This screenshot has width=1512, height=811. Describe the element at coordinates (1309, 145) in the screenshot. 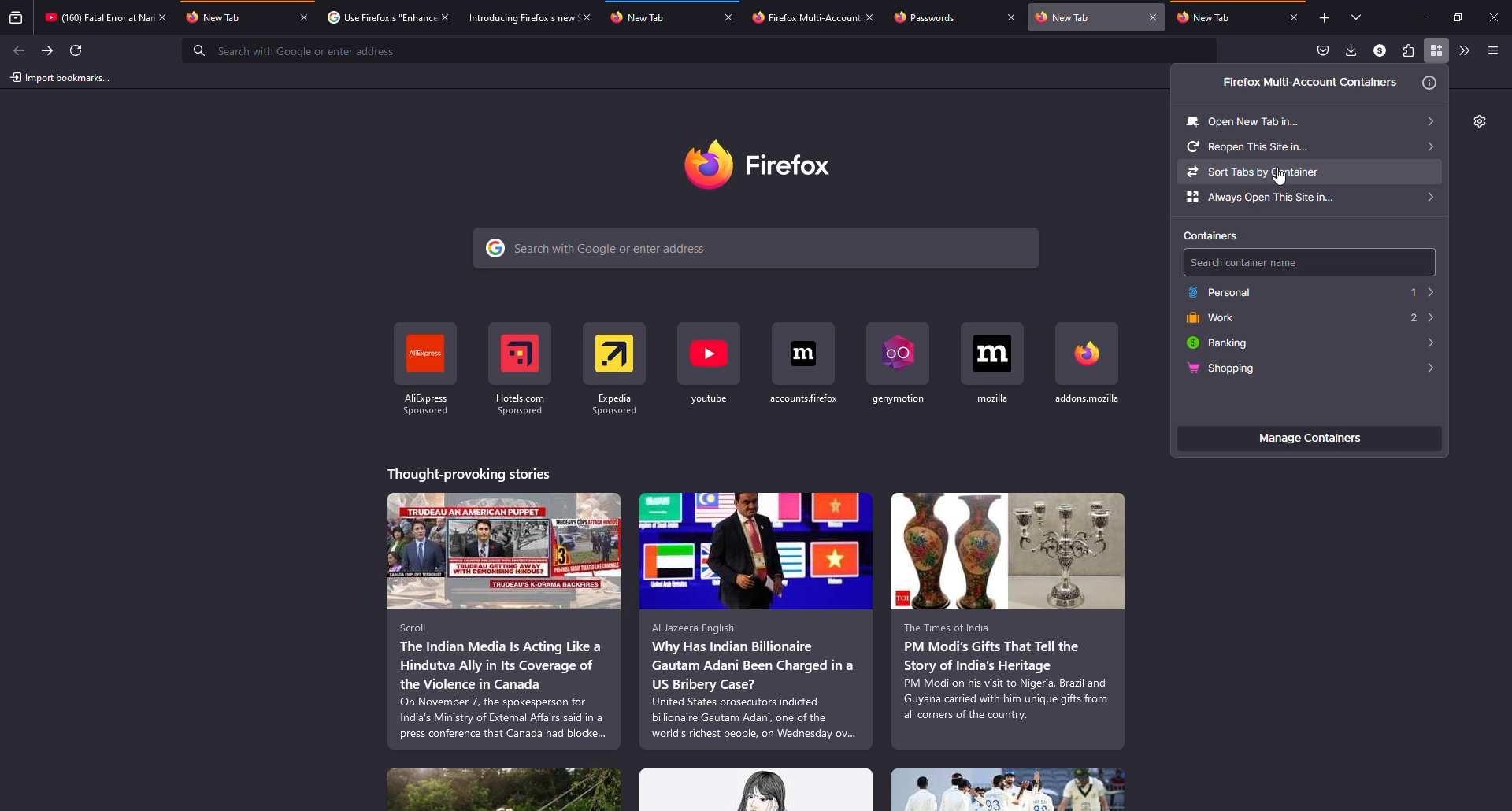

I see `reopen this site in` at that location.